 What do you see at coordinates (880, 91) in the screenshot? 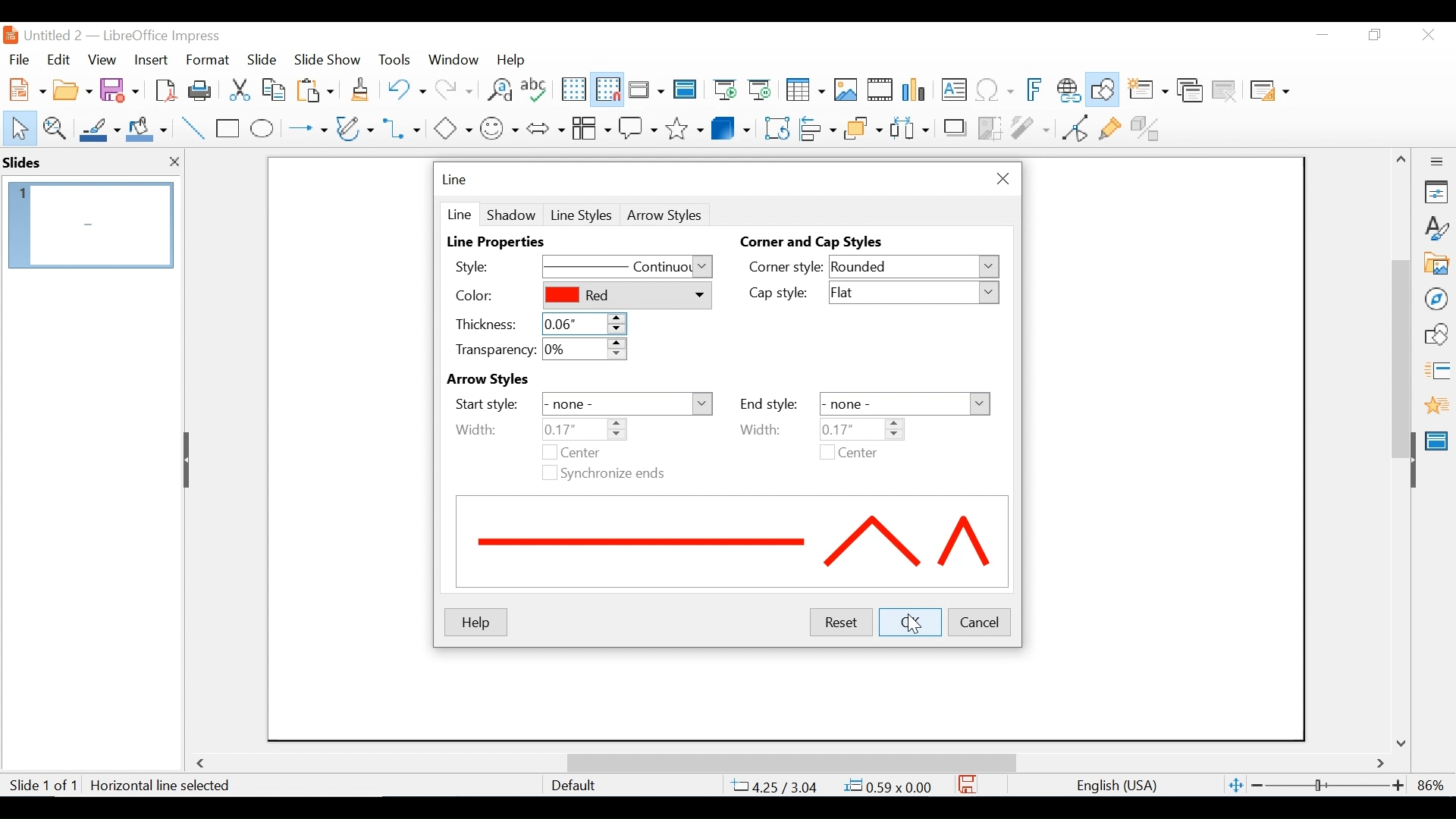
I see `Insert Audio or Video` at bounding box center [880, 91].